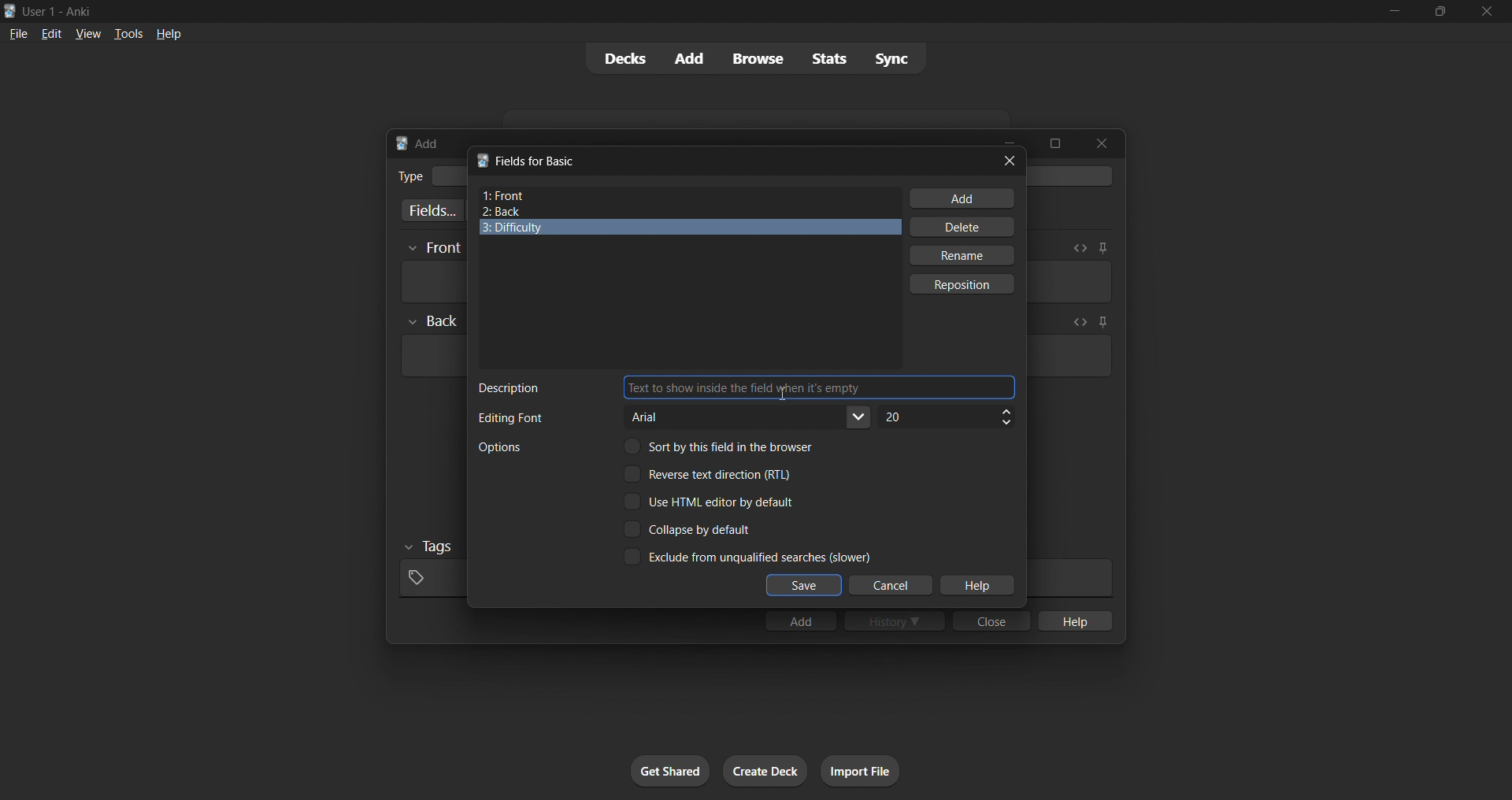  Describe the element at coordinates (409, 176) in the screenshot. I see `Text` at that location.